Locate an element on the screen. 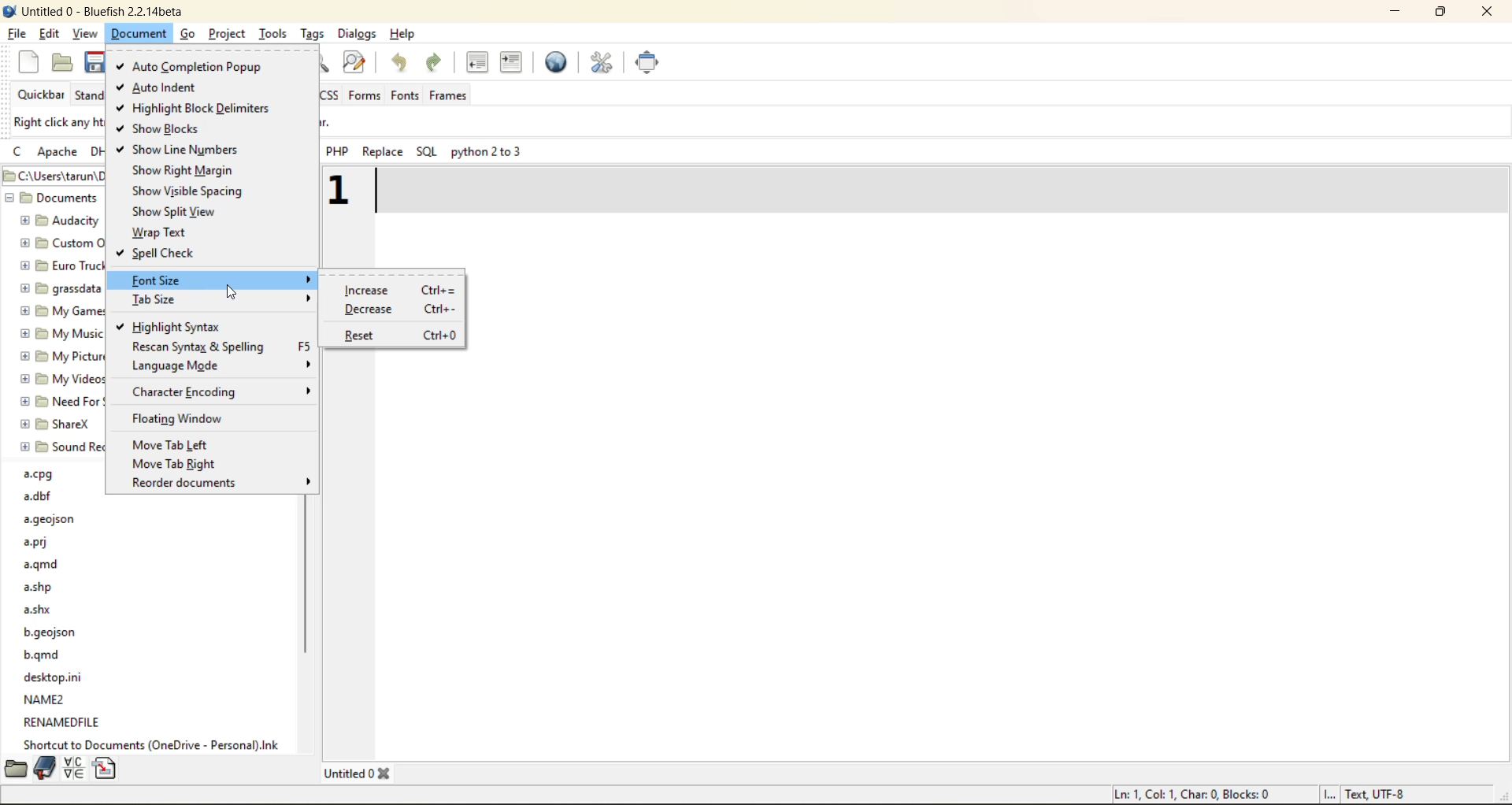  uindent is located at coordinates (480, 64).